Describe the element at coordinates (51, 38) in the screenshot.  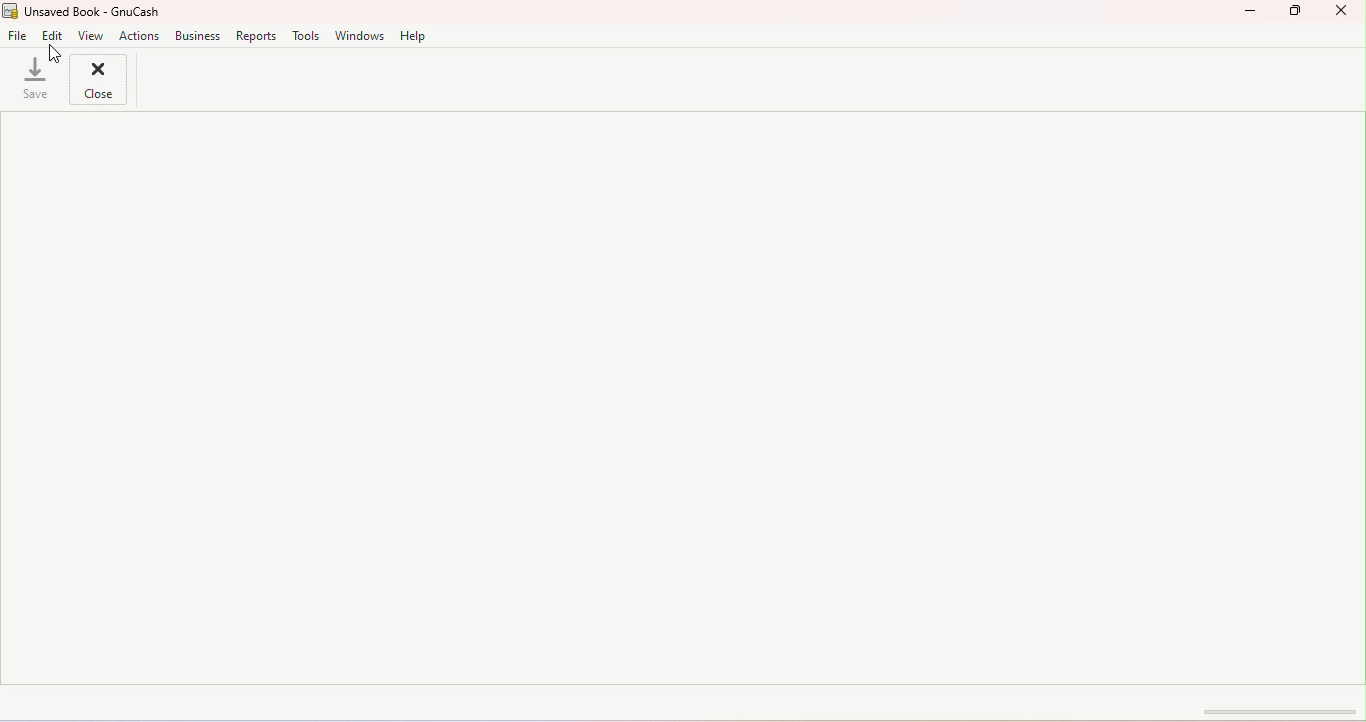
I see `Edit` at that location.